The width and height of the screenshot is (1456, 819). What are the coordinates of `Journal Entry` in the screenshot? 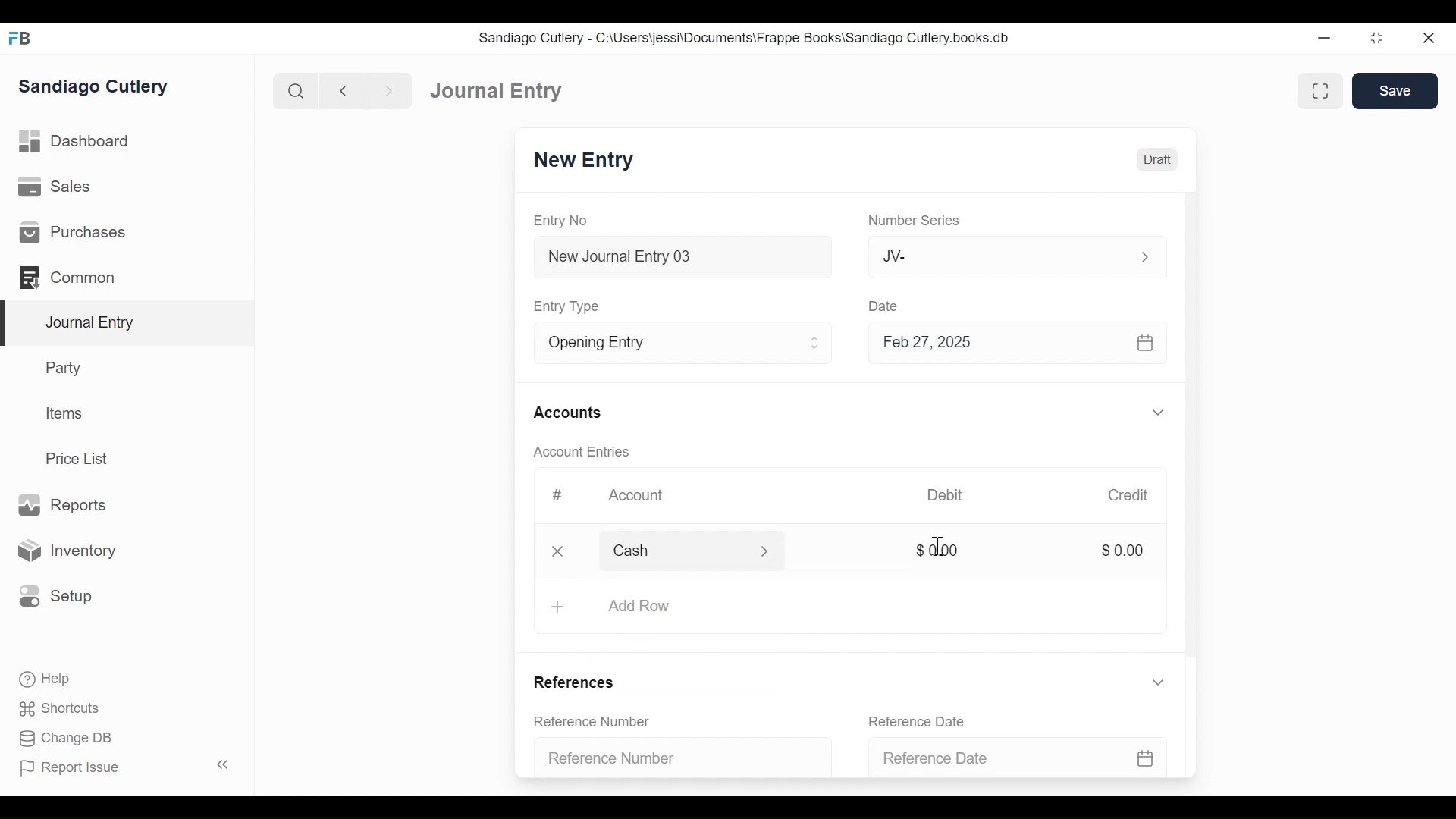 It's located at (498, 91).